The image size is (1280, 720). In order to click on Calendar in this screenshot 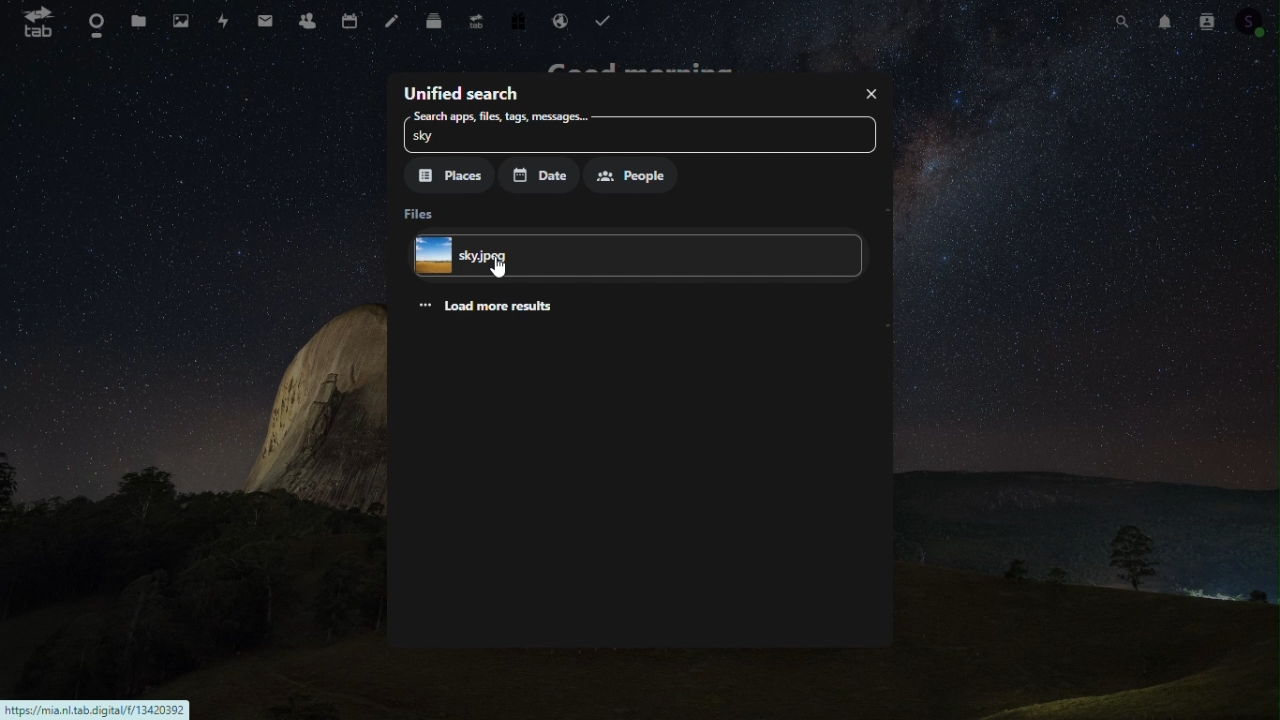, I will do `click(349, 18)`.